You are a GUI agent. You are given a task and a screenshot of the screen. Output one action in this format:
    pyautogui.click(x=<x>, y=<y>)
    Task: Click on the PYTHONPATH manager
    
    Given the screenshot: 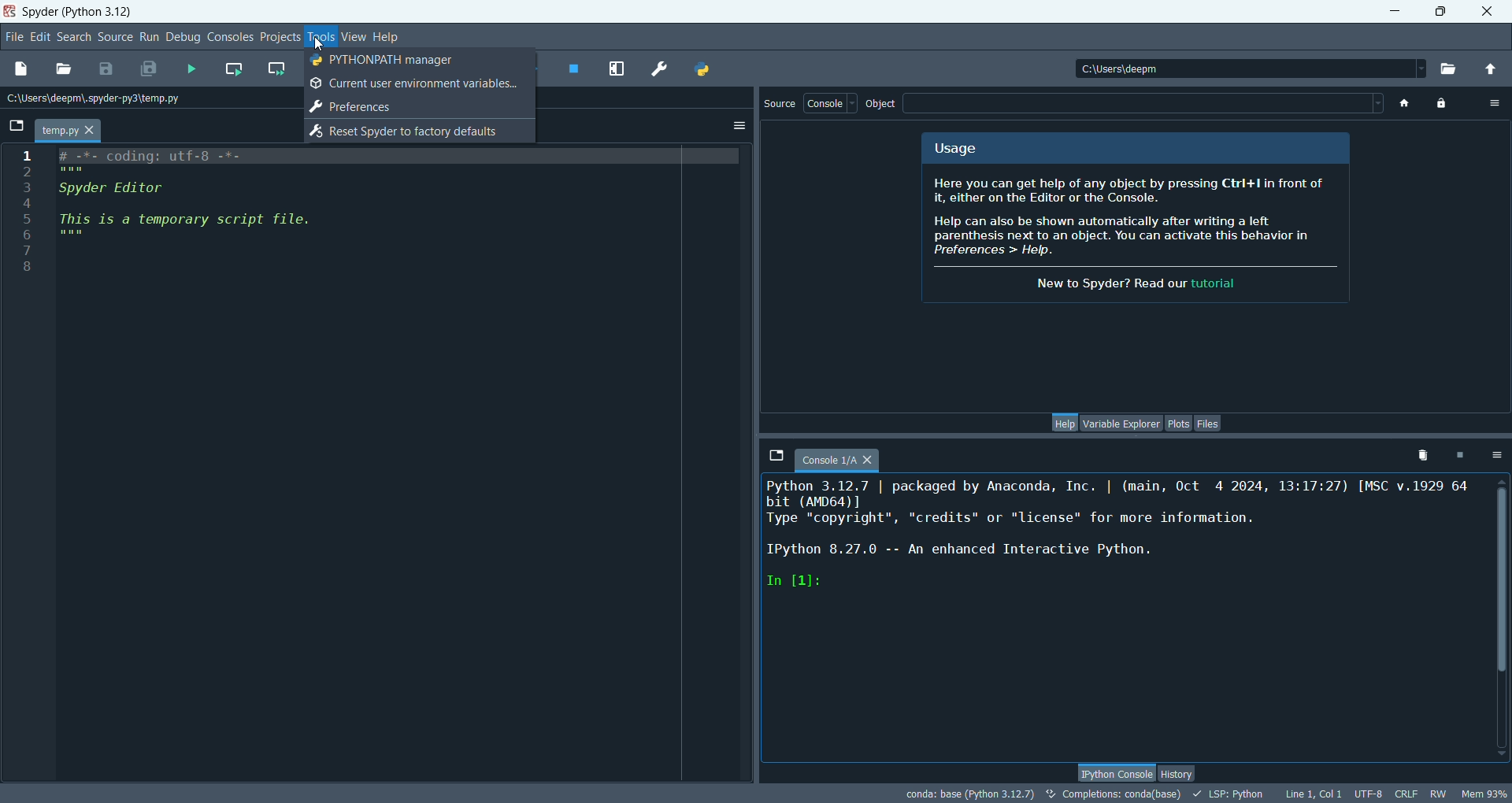 What is the action you would take?
    pyautogui.click(x=702, y=68)
    